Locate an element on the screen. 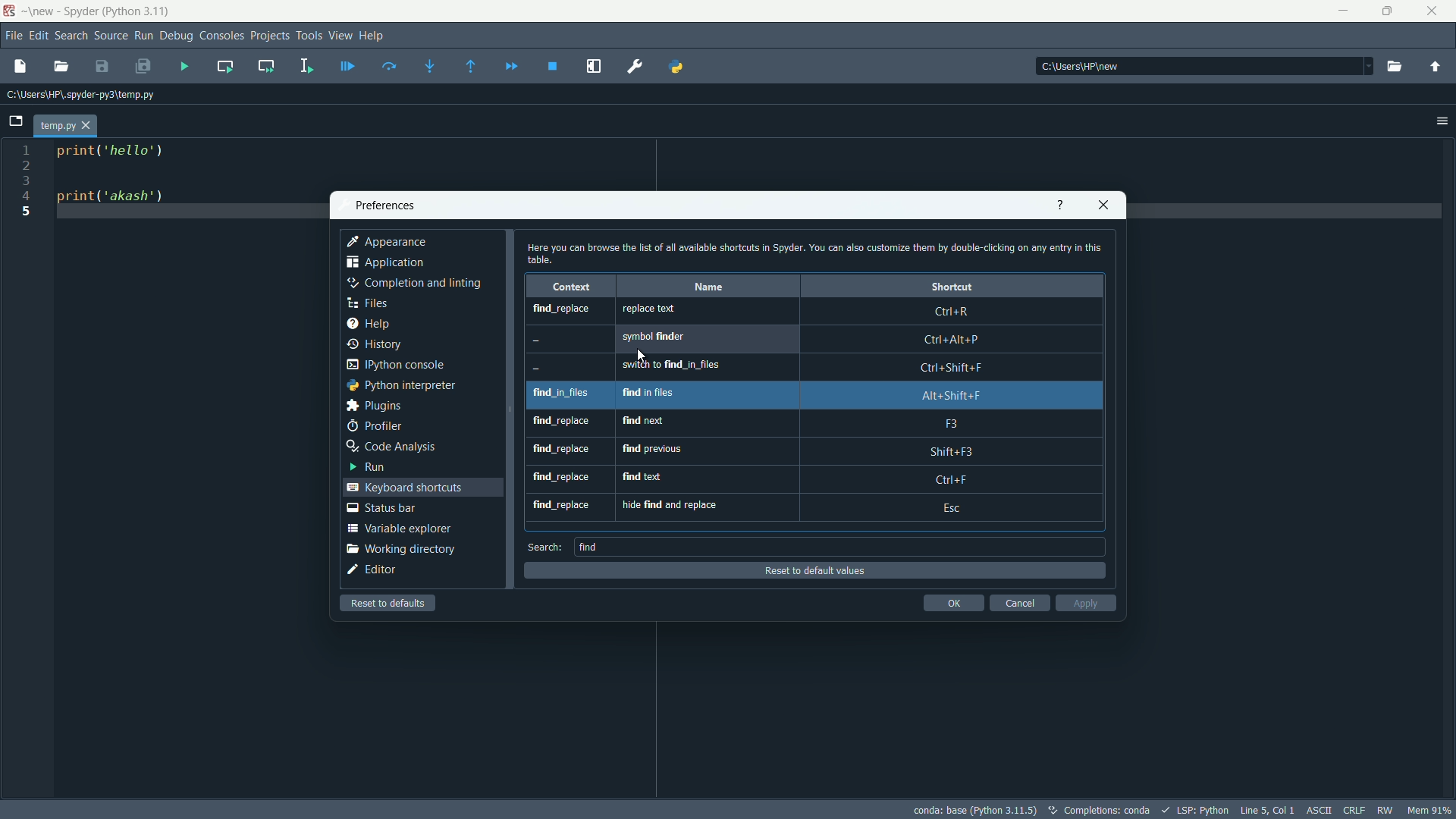  Completions:conda  is located at coordinates (1101, 811).